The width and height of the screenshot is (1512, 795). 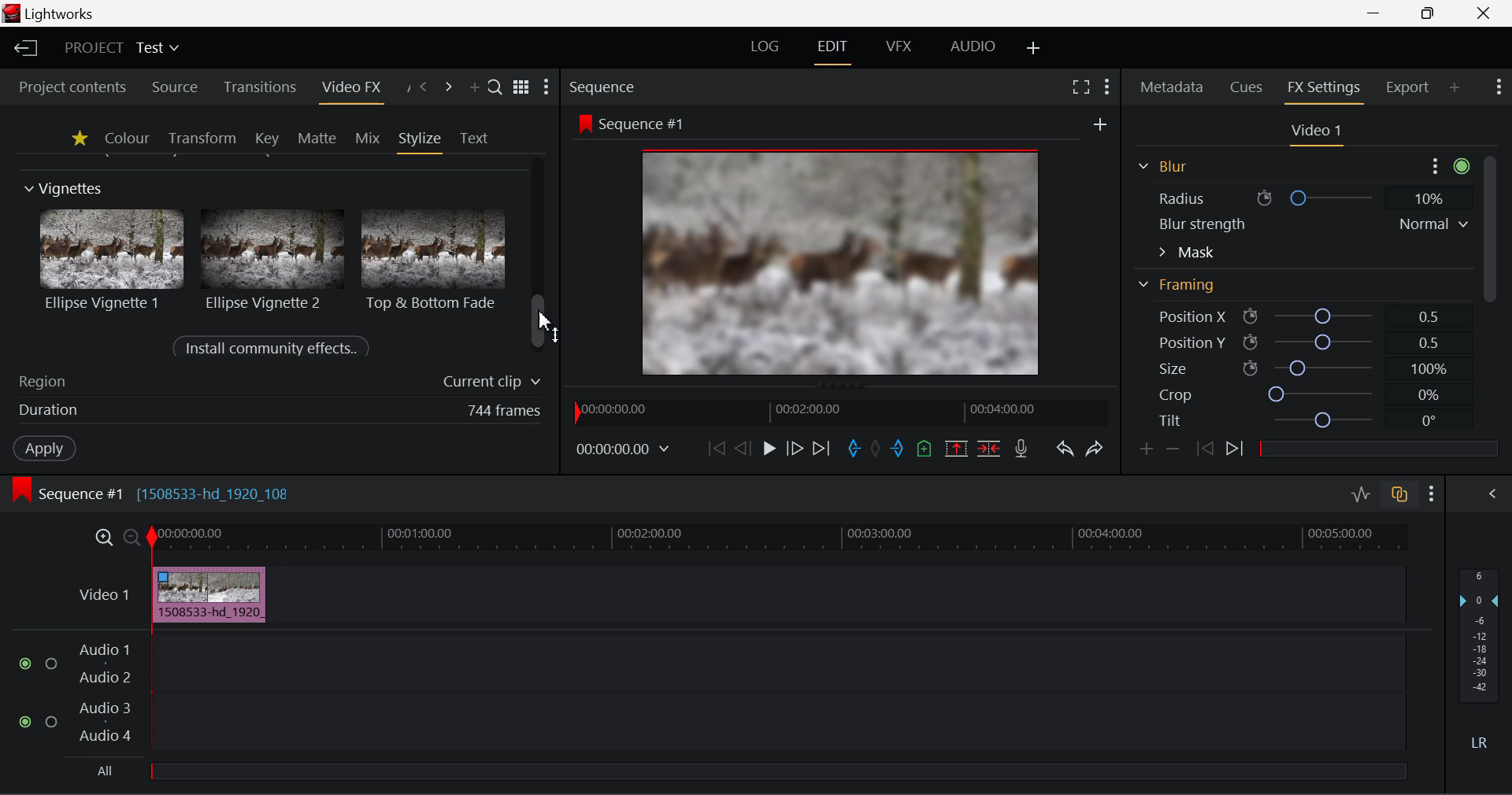 What do you see at coordinates (496, 89) in the screenshot?
I see `Search` at bounding box center [496, 89].